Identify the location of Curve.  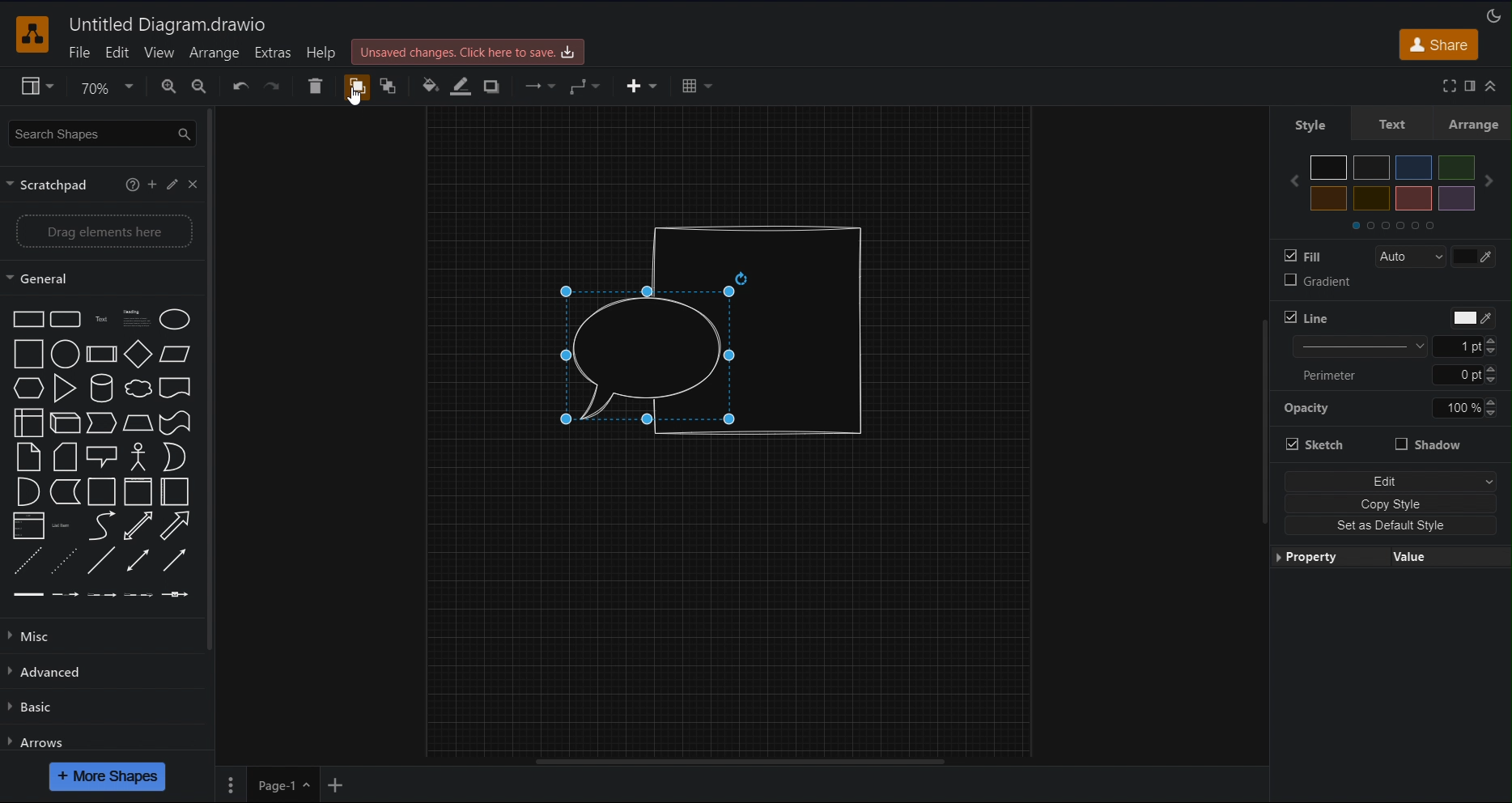
(103, 525).